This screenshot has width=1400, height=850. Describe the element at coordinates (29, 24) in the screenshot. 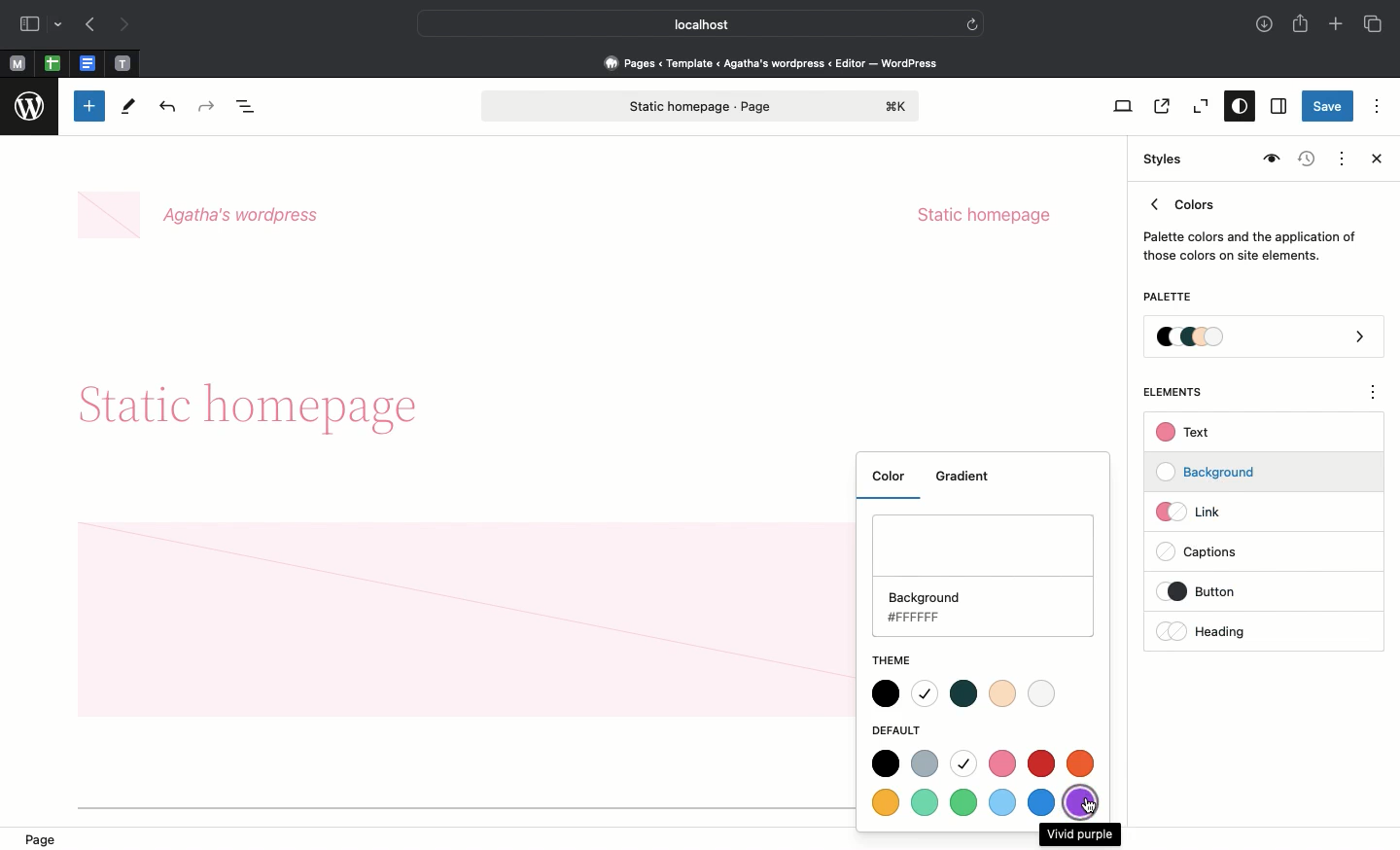

I see `Sidebar` at that location.